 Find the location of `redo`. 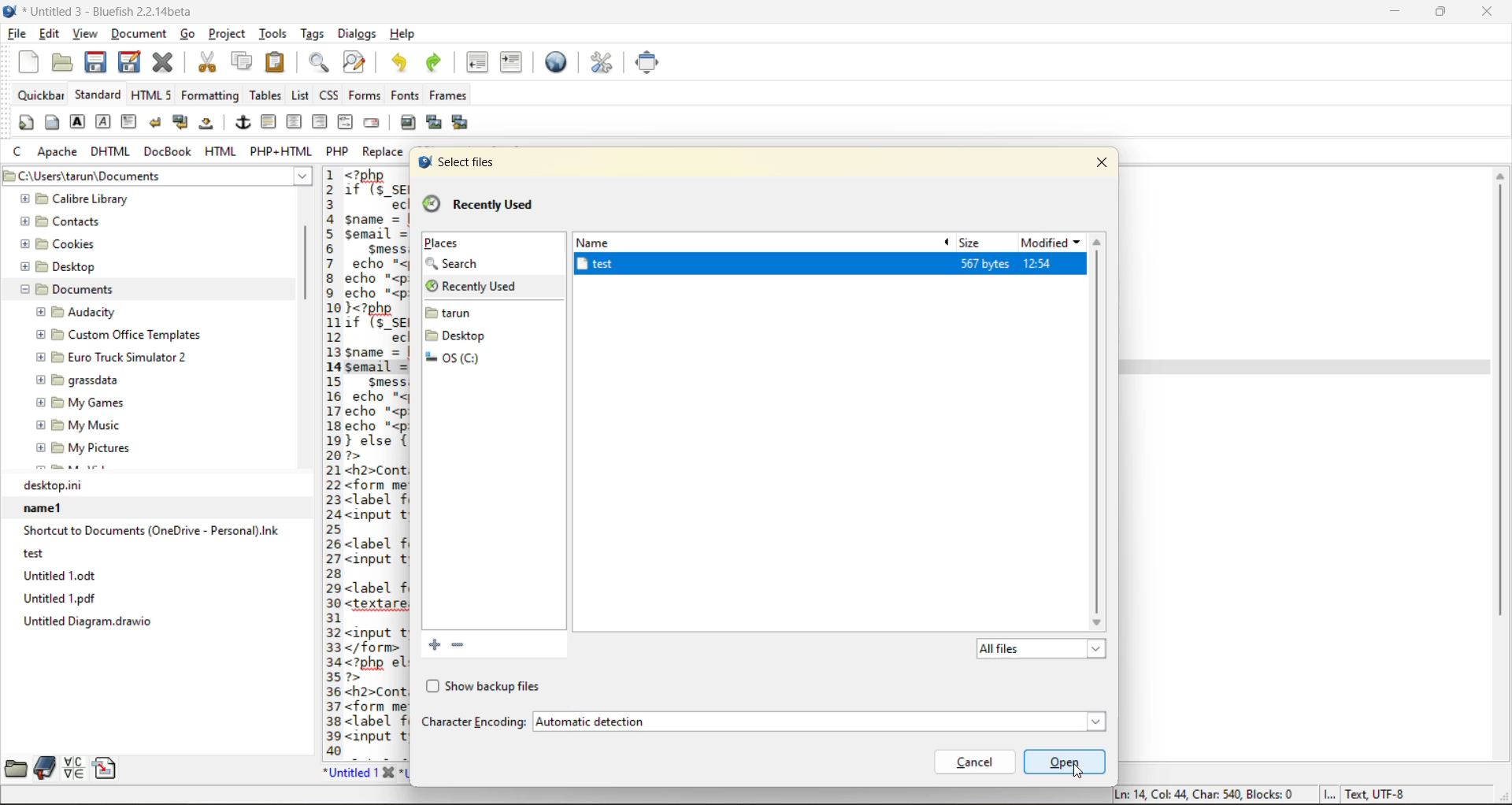

redo is located at coordinates (437, 62).